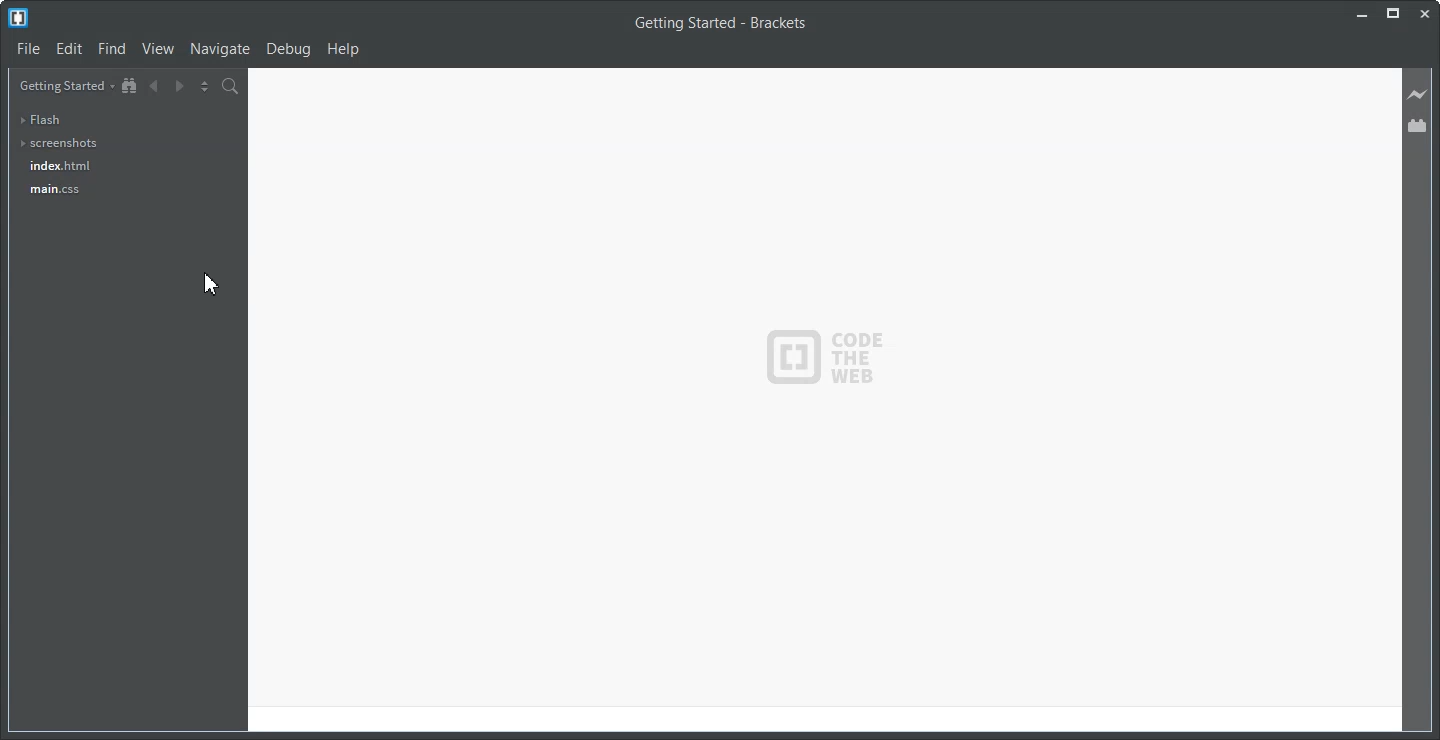  I want to click on Navigate Backwards, so click(153, 86).